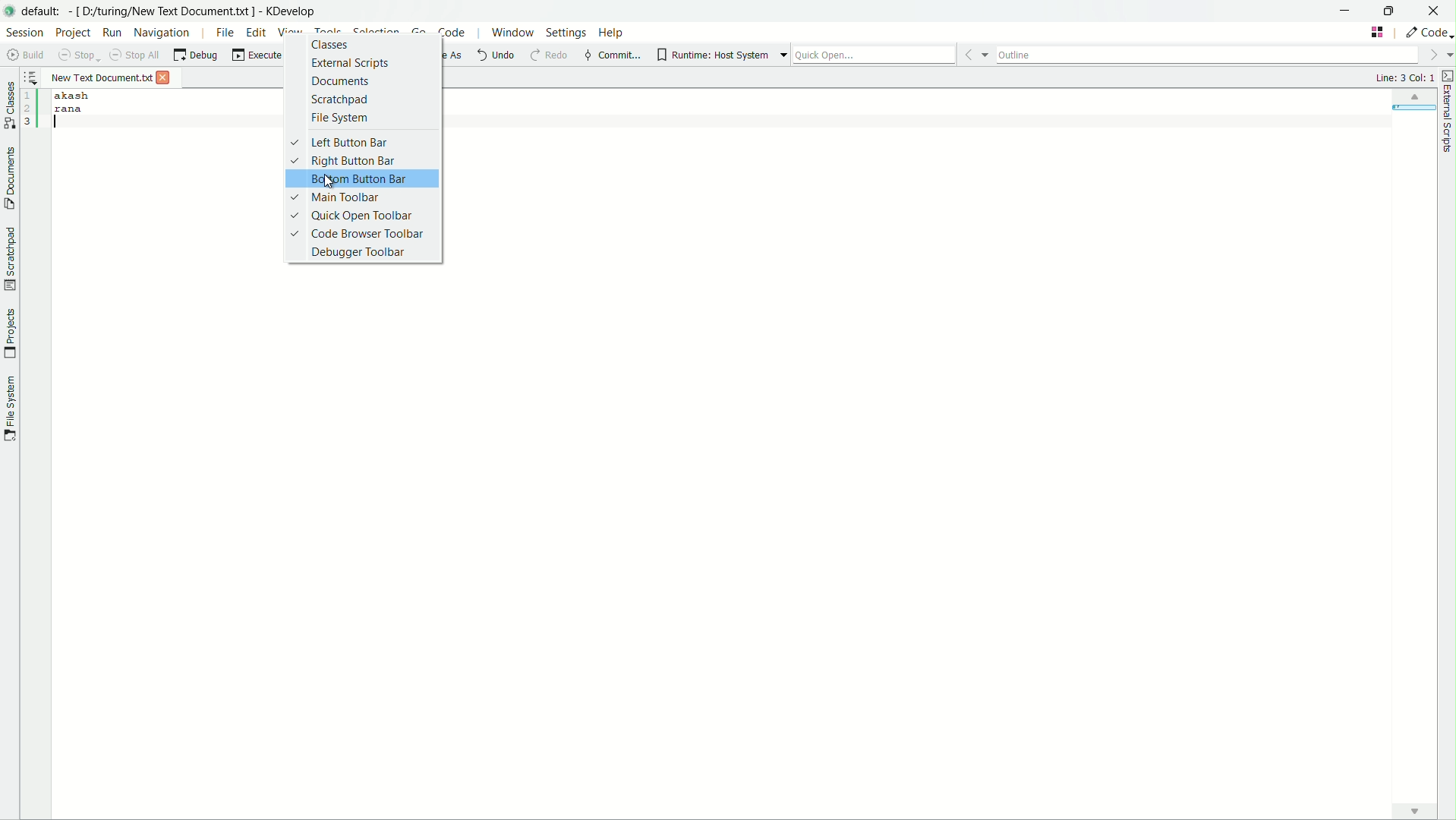  I want to click on project menu, so click(72, 32).